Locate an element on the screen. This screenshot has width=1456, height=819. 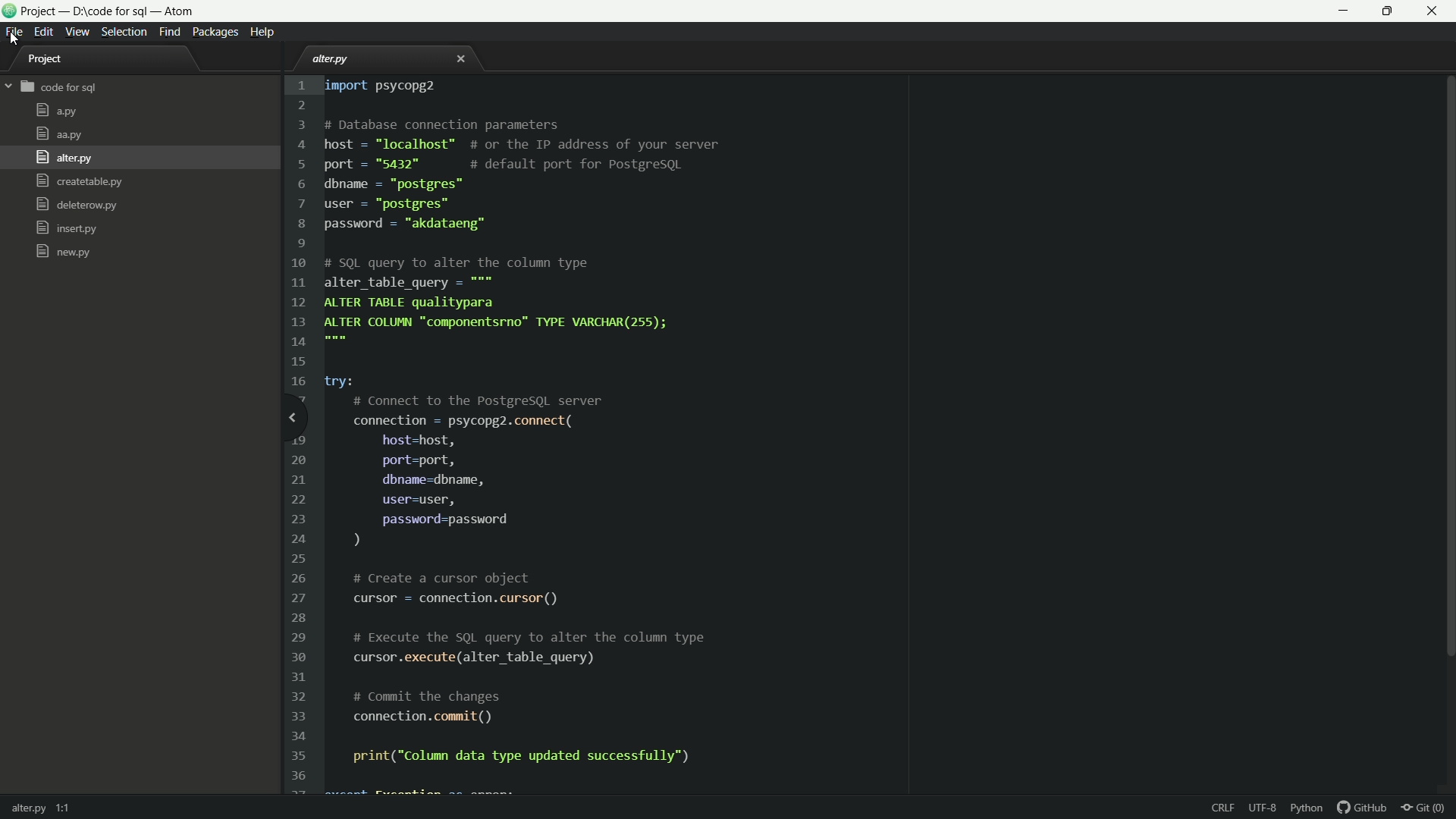
close is located at coordinates (461, 61).